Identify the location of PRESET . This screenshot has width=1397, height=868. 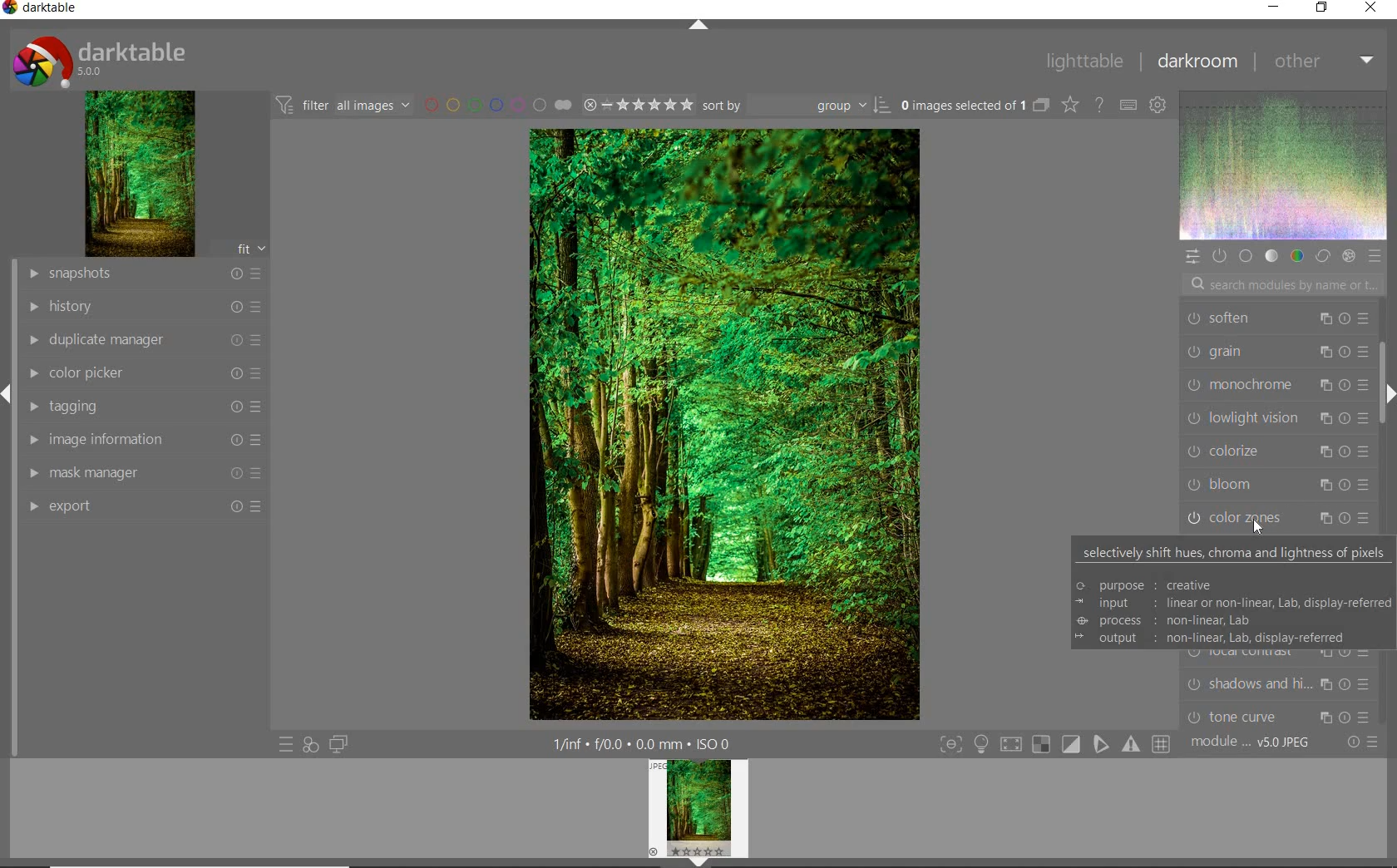
(1376, 255).